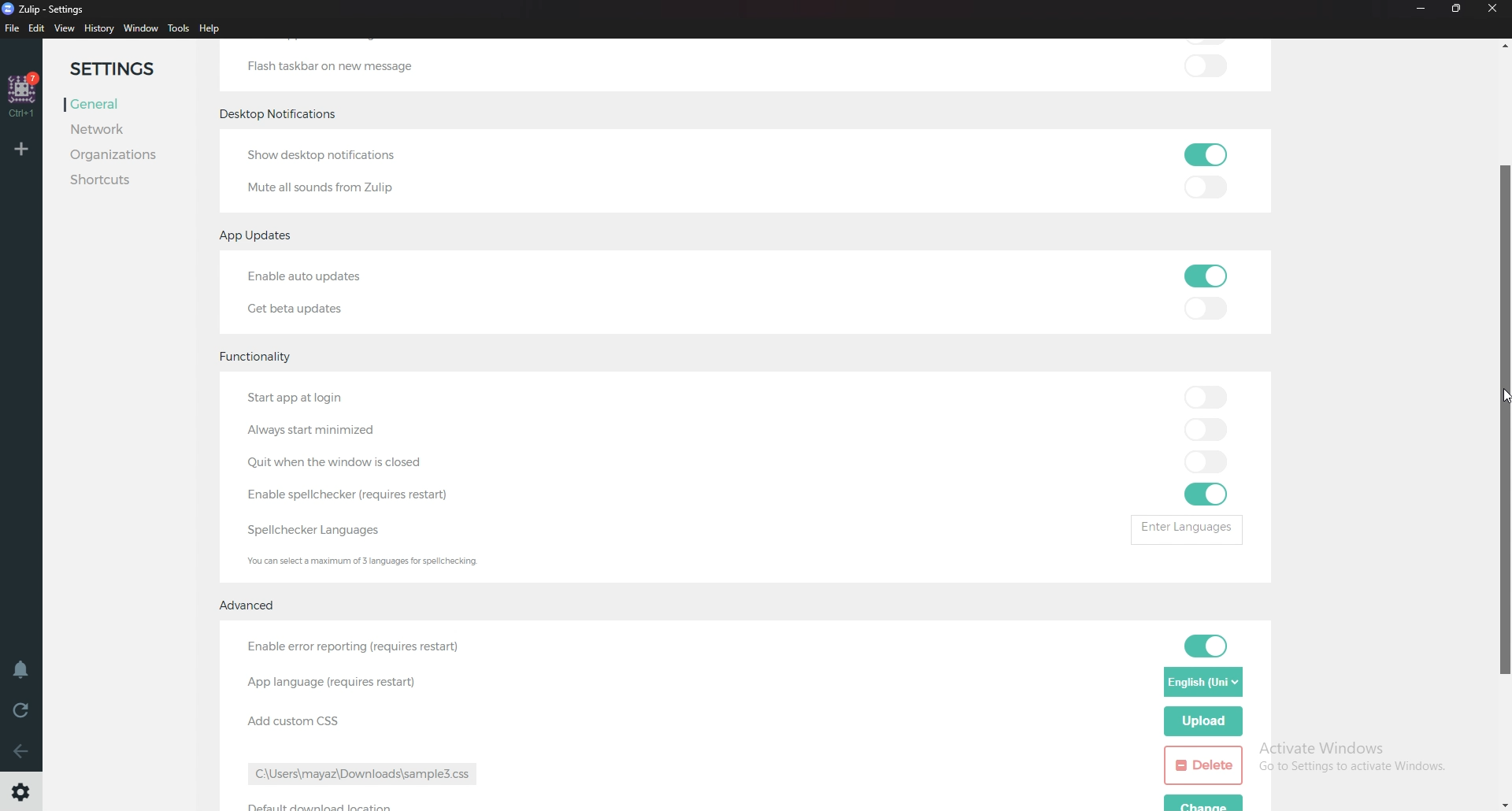 The height and width of the screenshot is (811, 1512). Describe the element at coordinates (301, 307) in the screenshot. I see `Get beta updates` at that location.